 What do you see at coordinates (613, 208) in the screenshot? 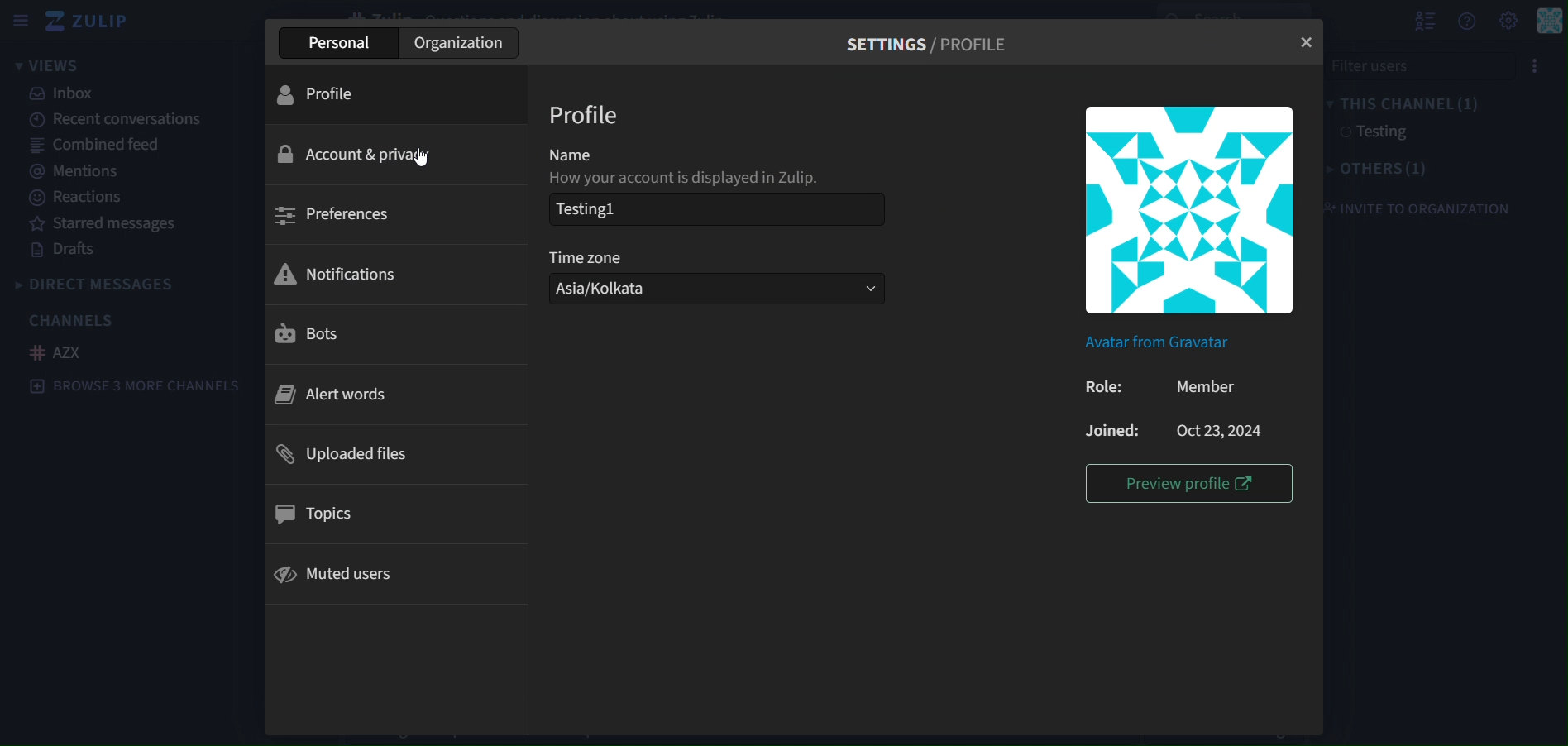
I see `testing1` at bounding box center [613, 208].